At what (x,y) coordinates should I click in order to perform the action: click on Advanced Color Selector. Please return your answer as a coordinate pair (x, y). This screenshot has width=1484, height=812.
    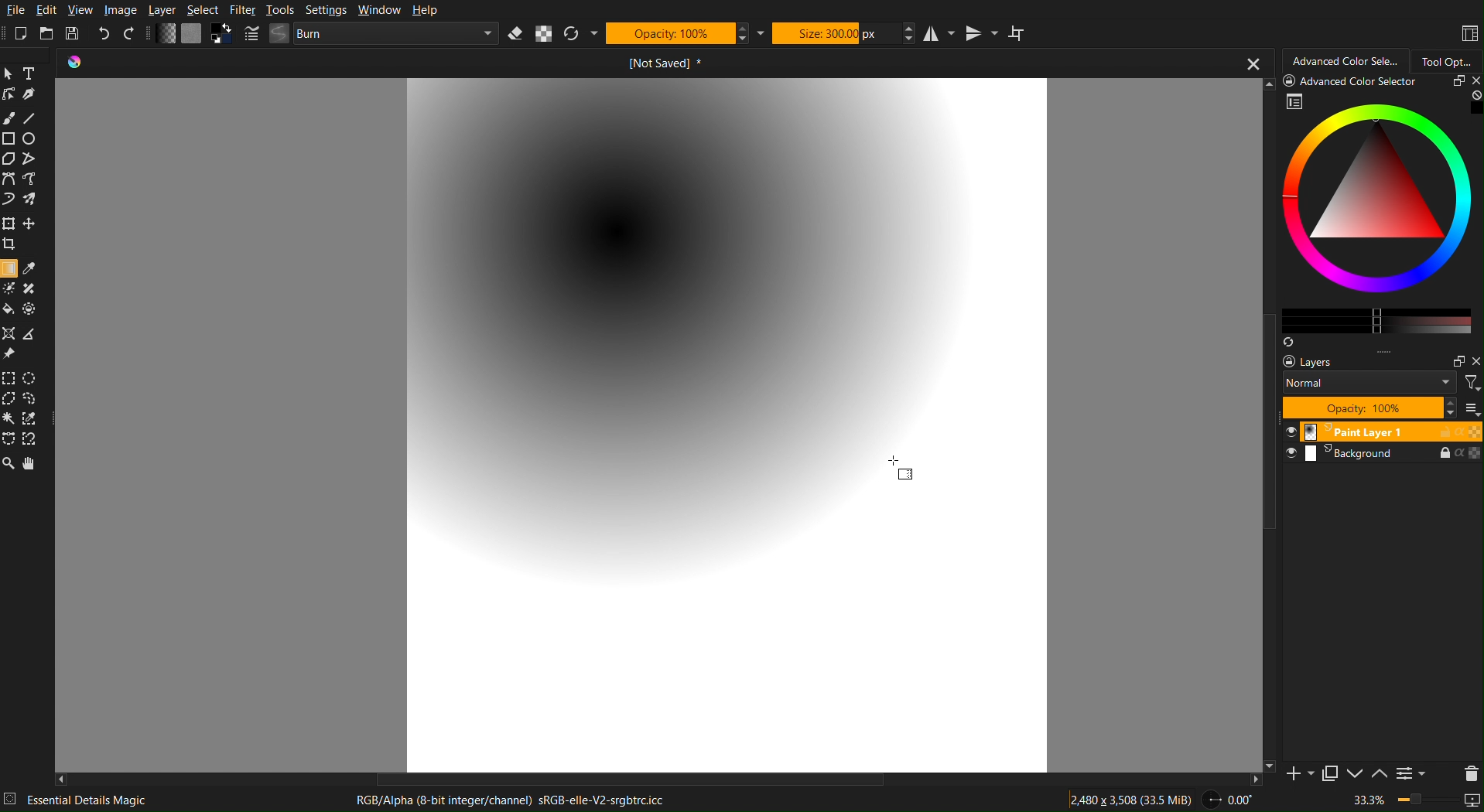
    Looking at the image, I should click on (1342, 60).